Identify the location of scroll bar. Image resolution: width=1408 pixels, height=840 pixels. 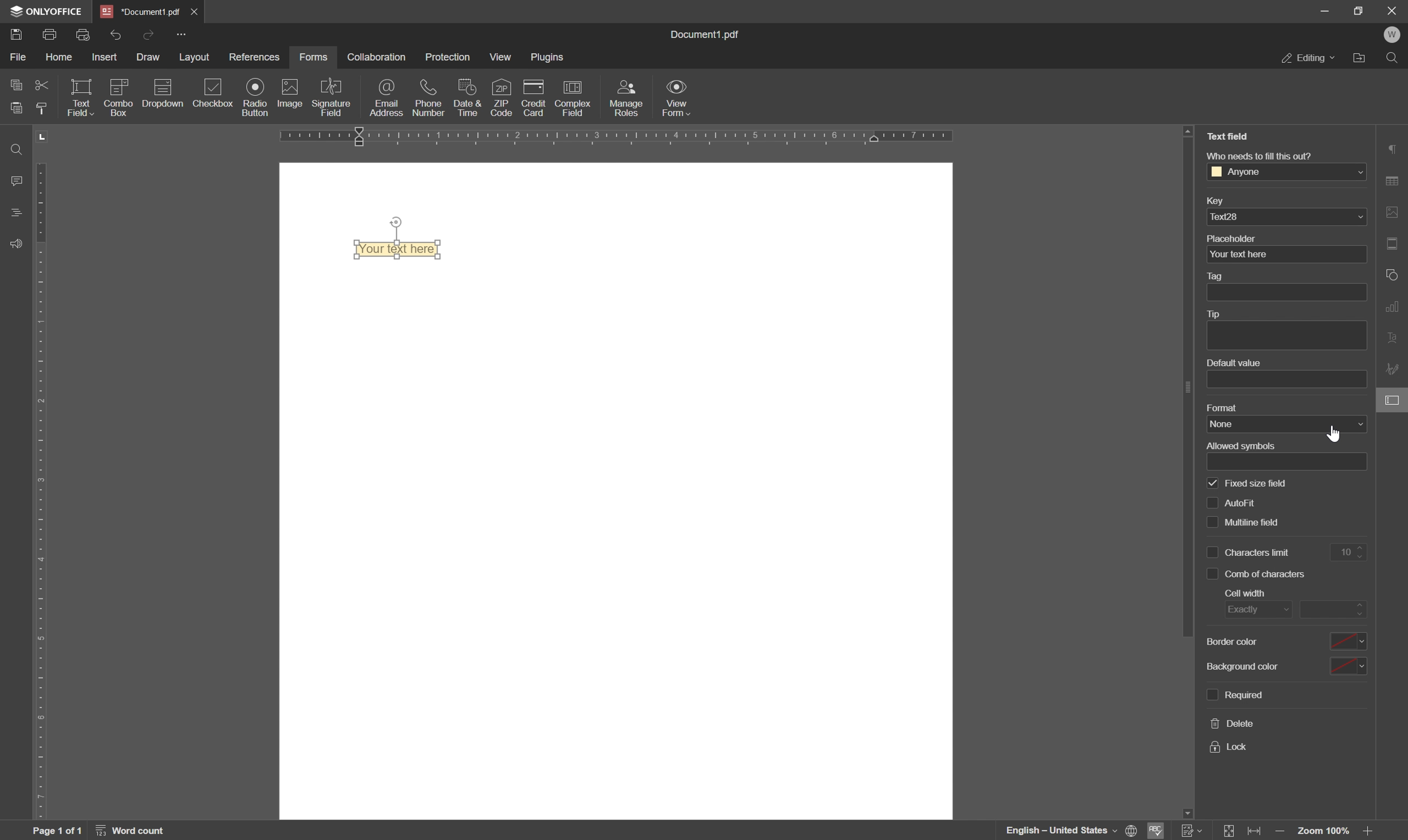
(1188, 388).